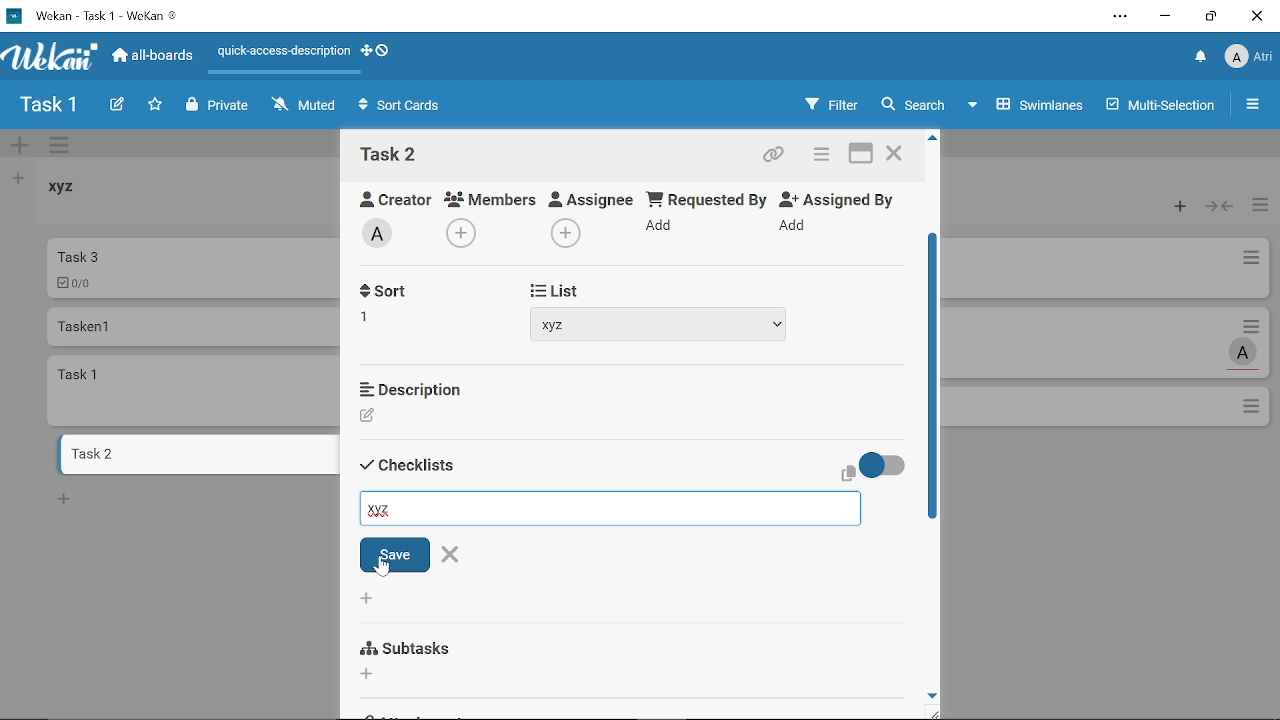 This screenshot has height=720, width=1280. I want to click on xyz, so click(660, 324).